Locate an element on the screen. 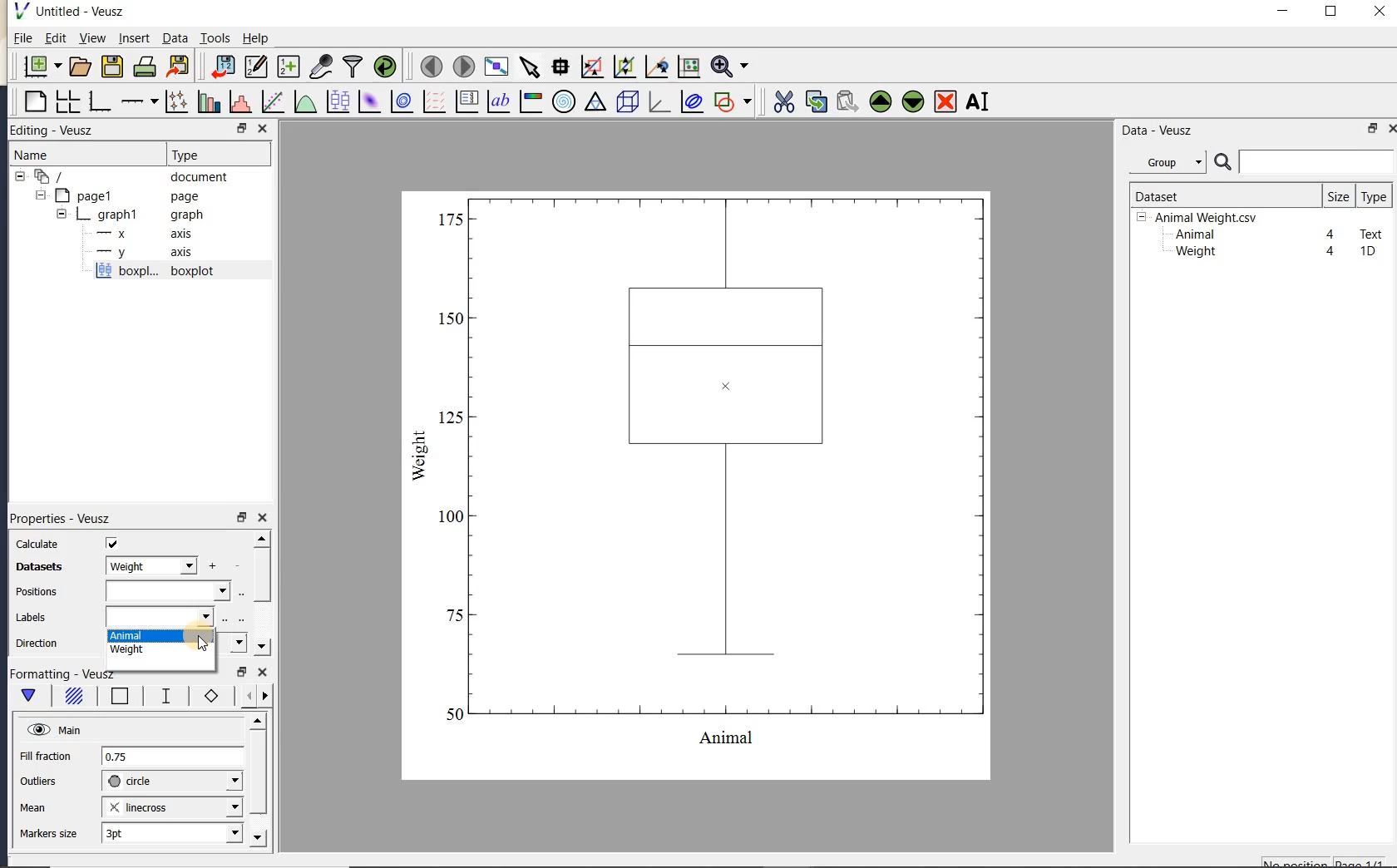 This screenshot has height=868, width=1397. direction is located at coordinates (39, 643).